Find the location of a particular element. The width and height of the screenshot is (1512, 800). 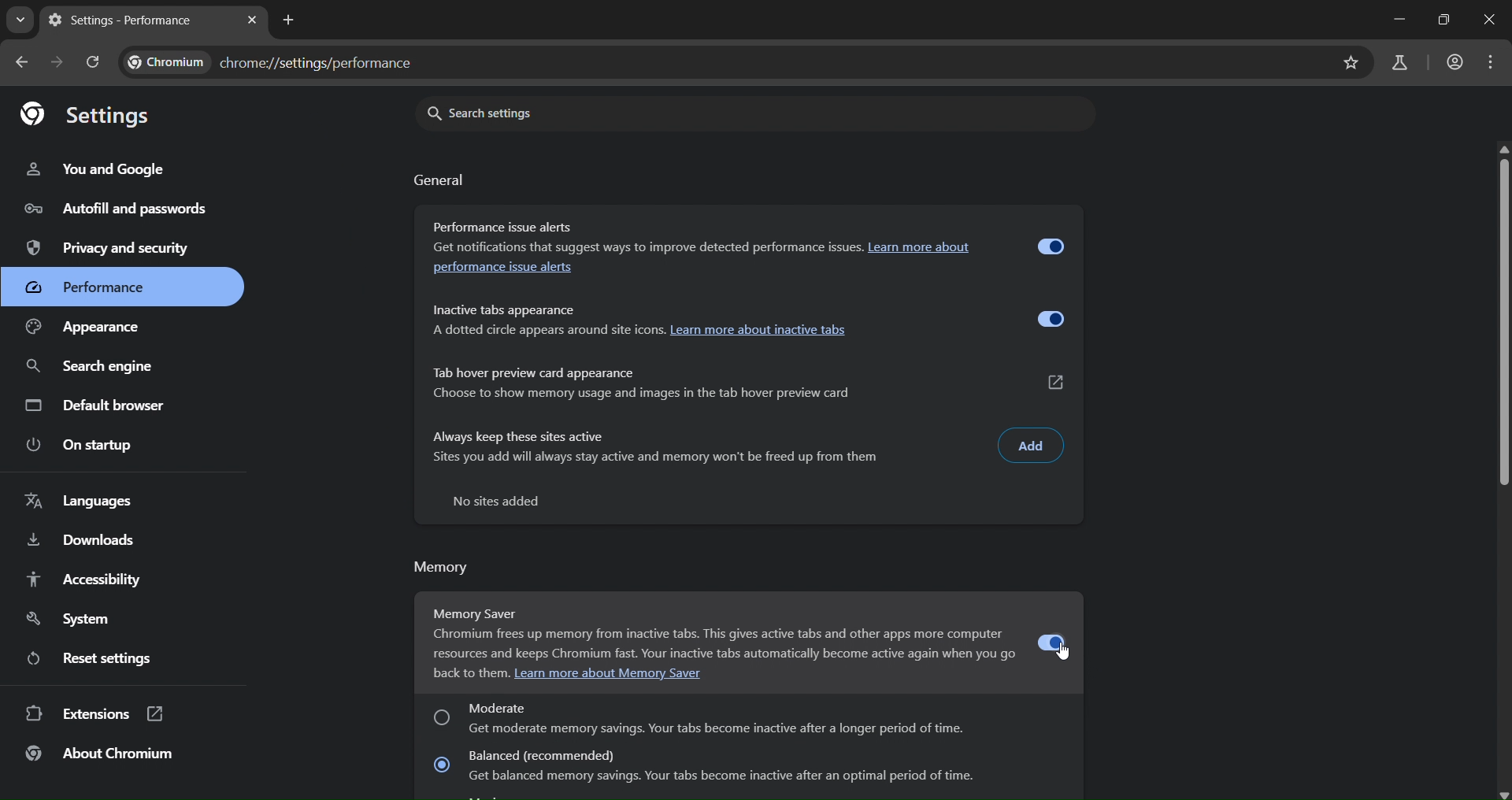

Settings - Performance is located at coordinates (133, 20).